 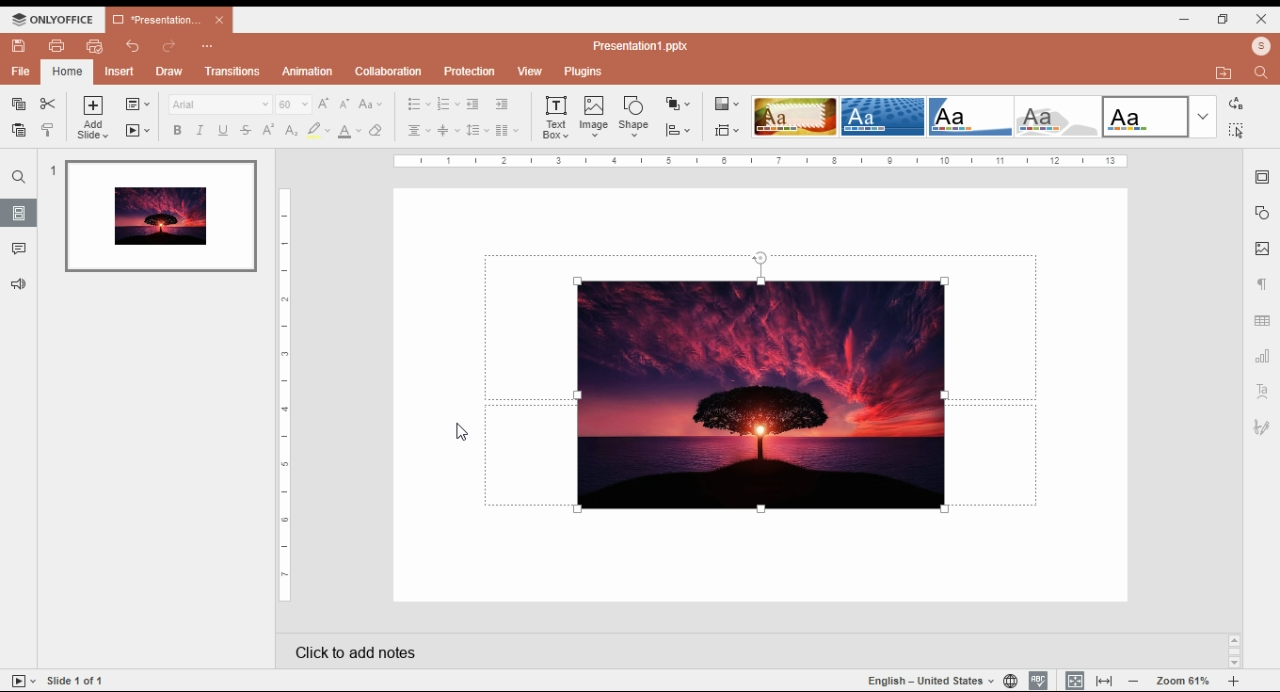 I want to click on align shapes, so click(x=679, y=131).